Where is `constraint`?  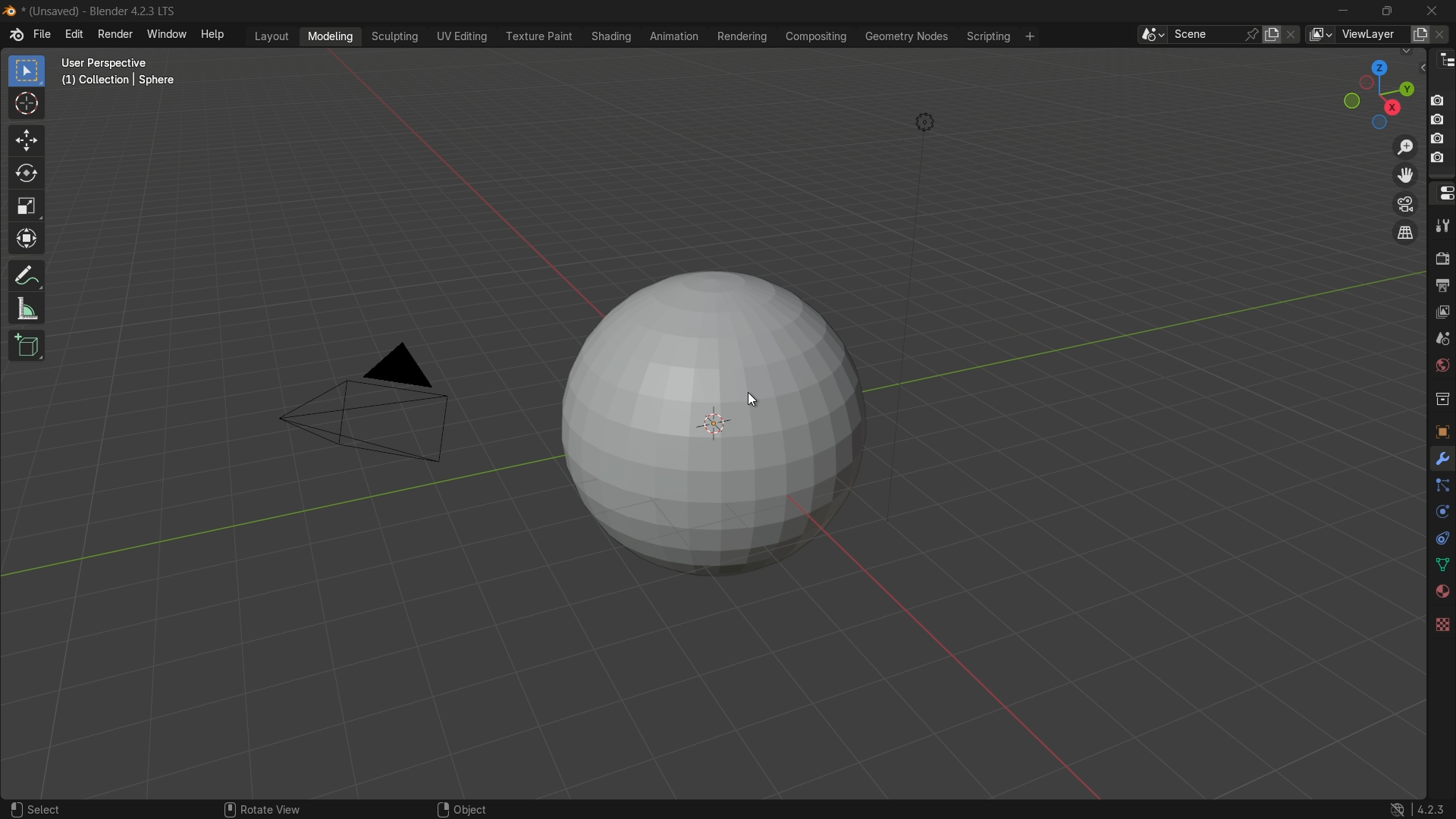
constraint is located at coordinates (1441, 538).